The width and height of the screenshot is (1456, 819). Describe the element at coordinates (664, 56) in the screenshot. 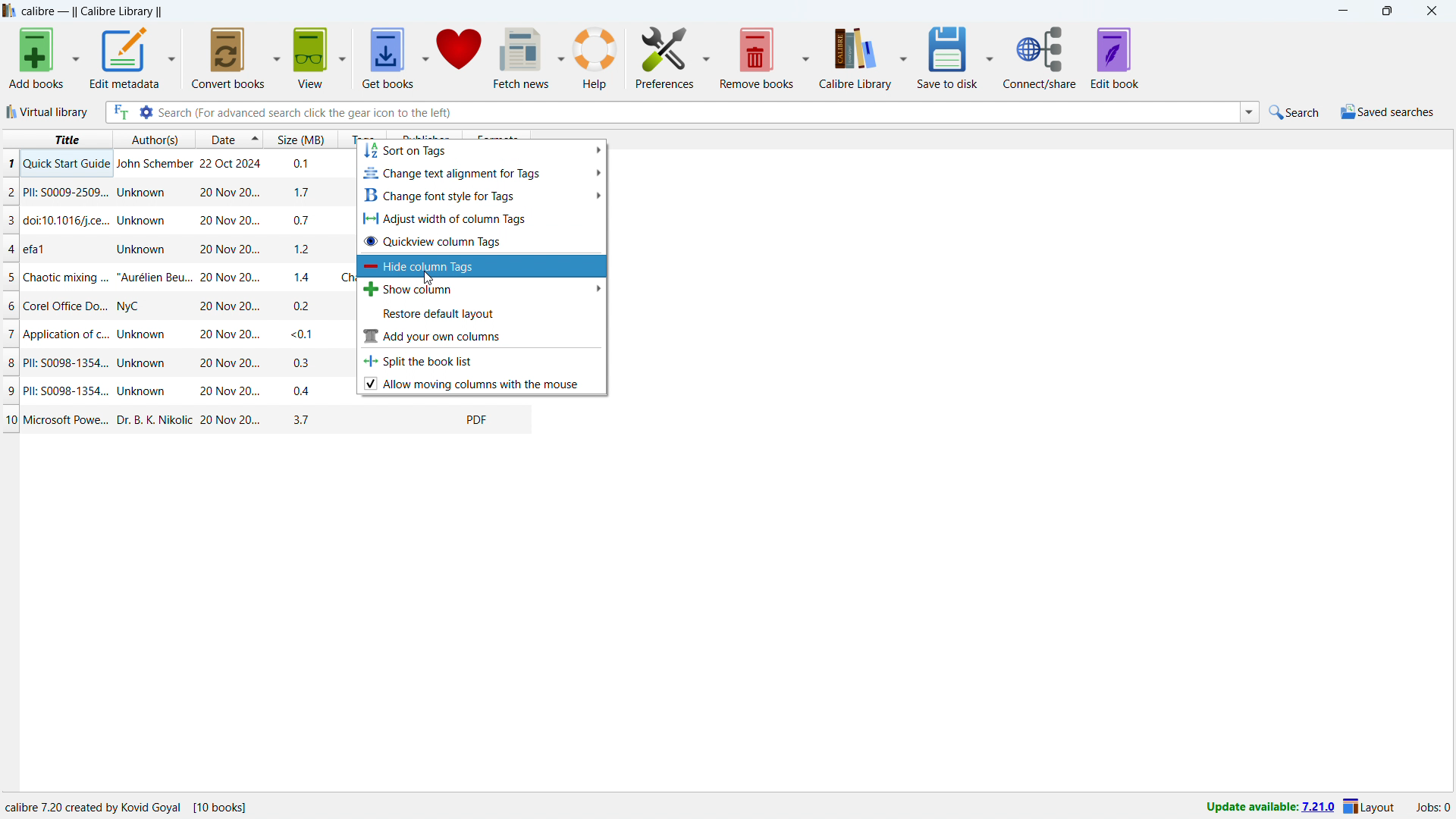

I see `remove books` at that location.